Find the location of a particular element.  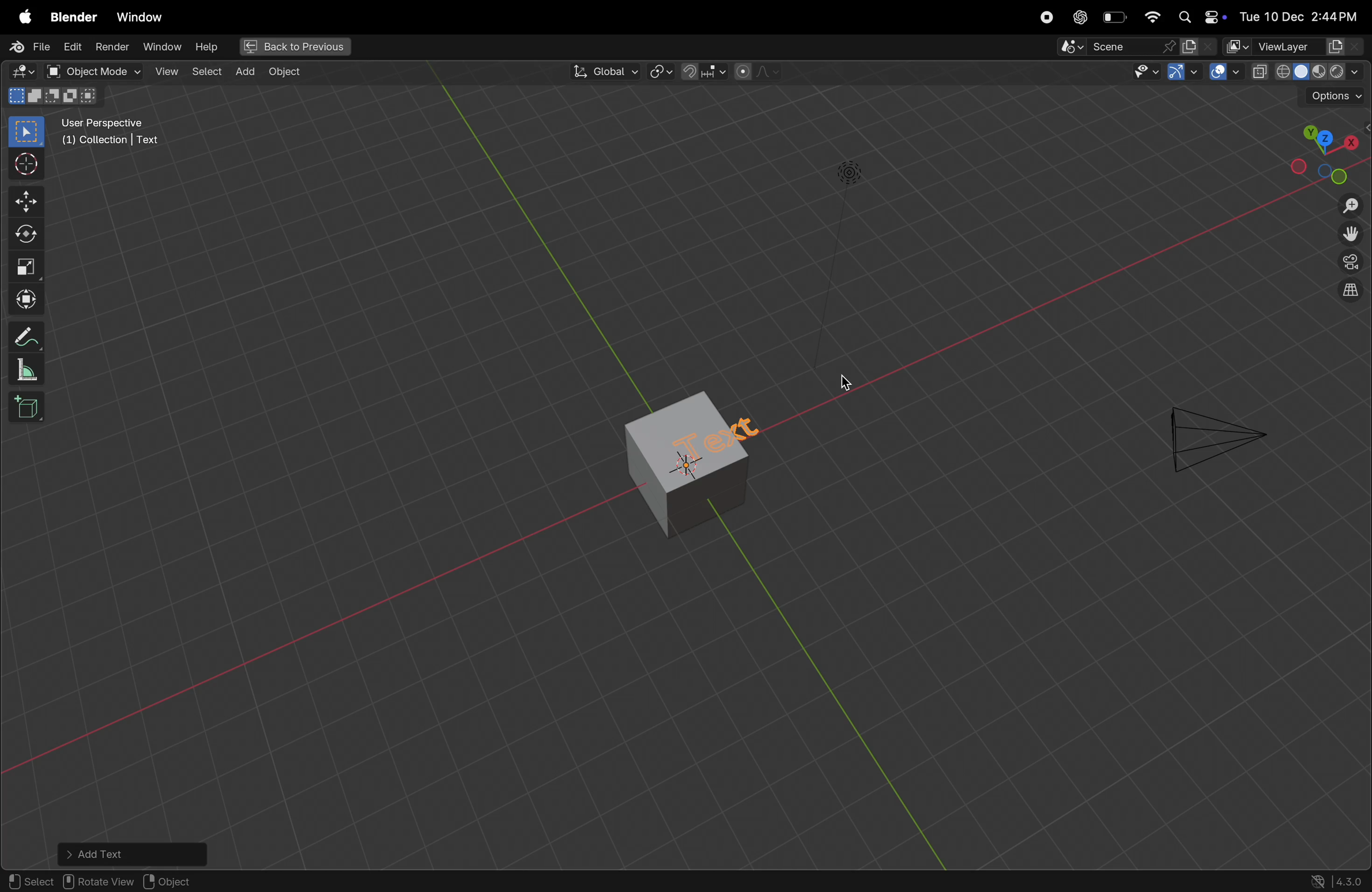

pencil is located at coordinates (22, 337).